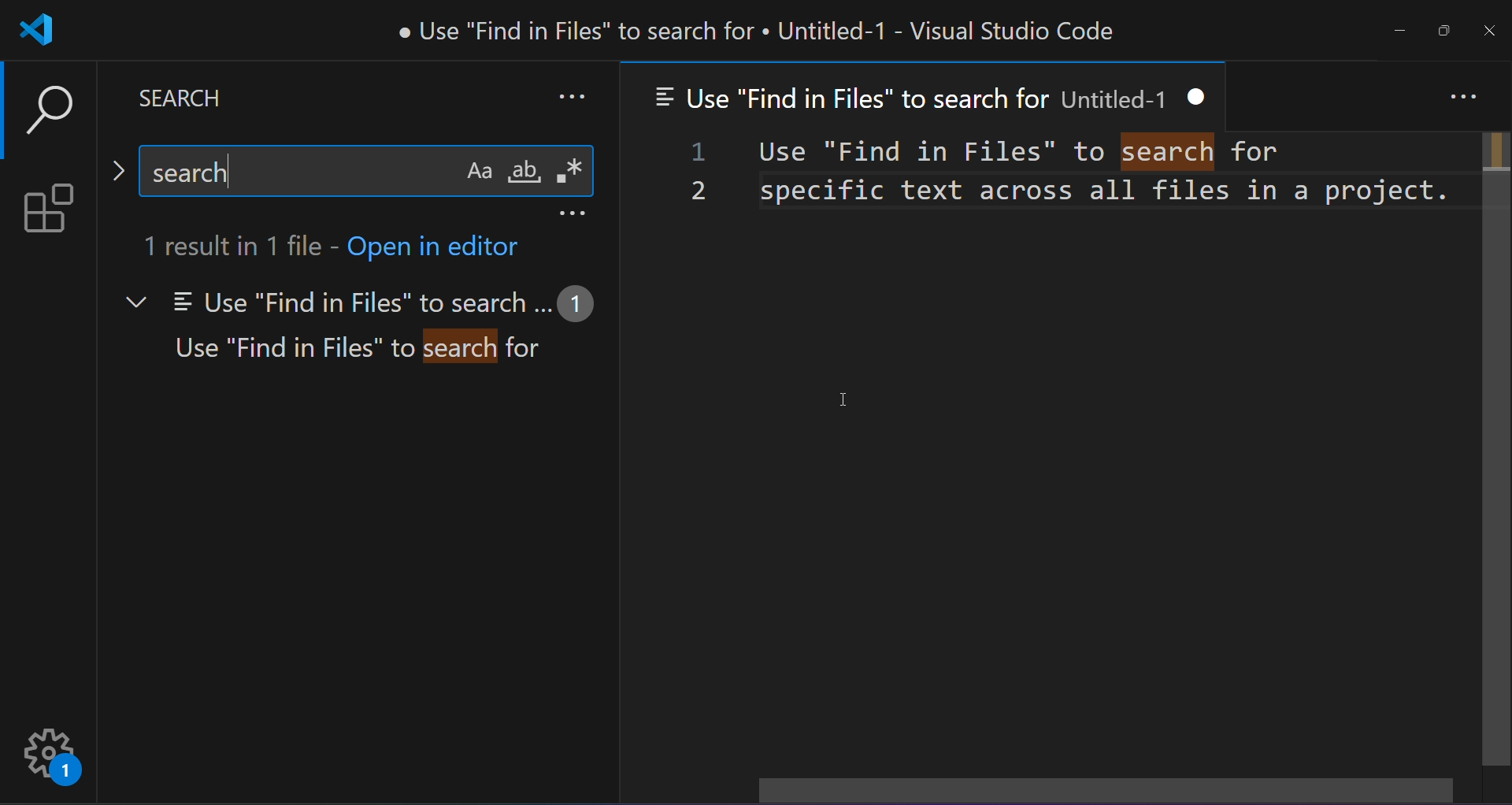 This screenshot has width=1512, height=805. I want to click on for, so click(1256, 149).